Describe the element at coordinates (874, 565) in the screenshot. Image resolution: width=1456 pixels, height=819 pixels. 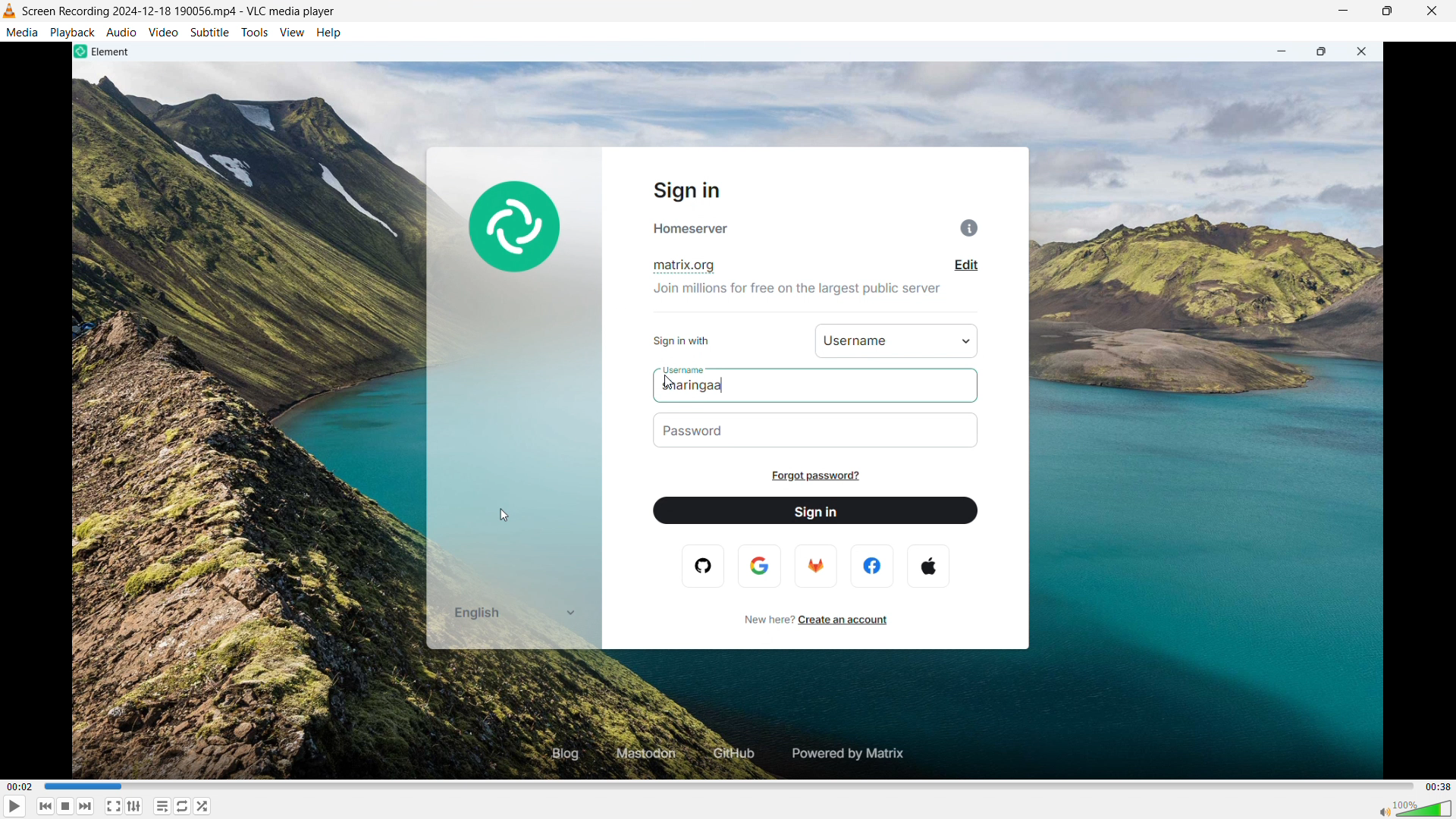
I see `facebook logo` at that location.